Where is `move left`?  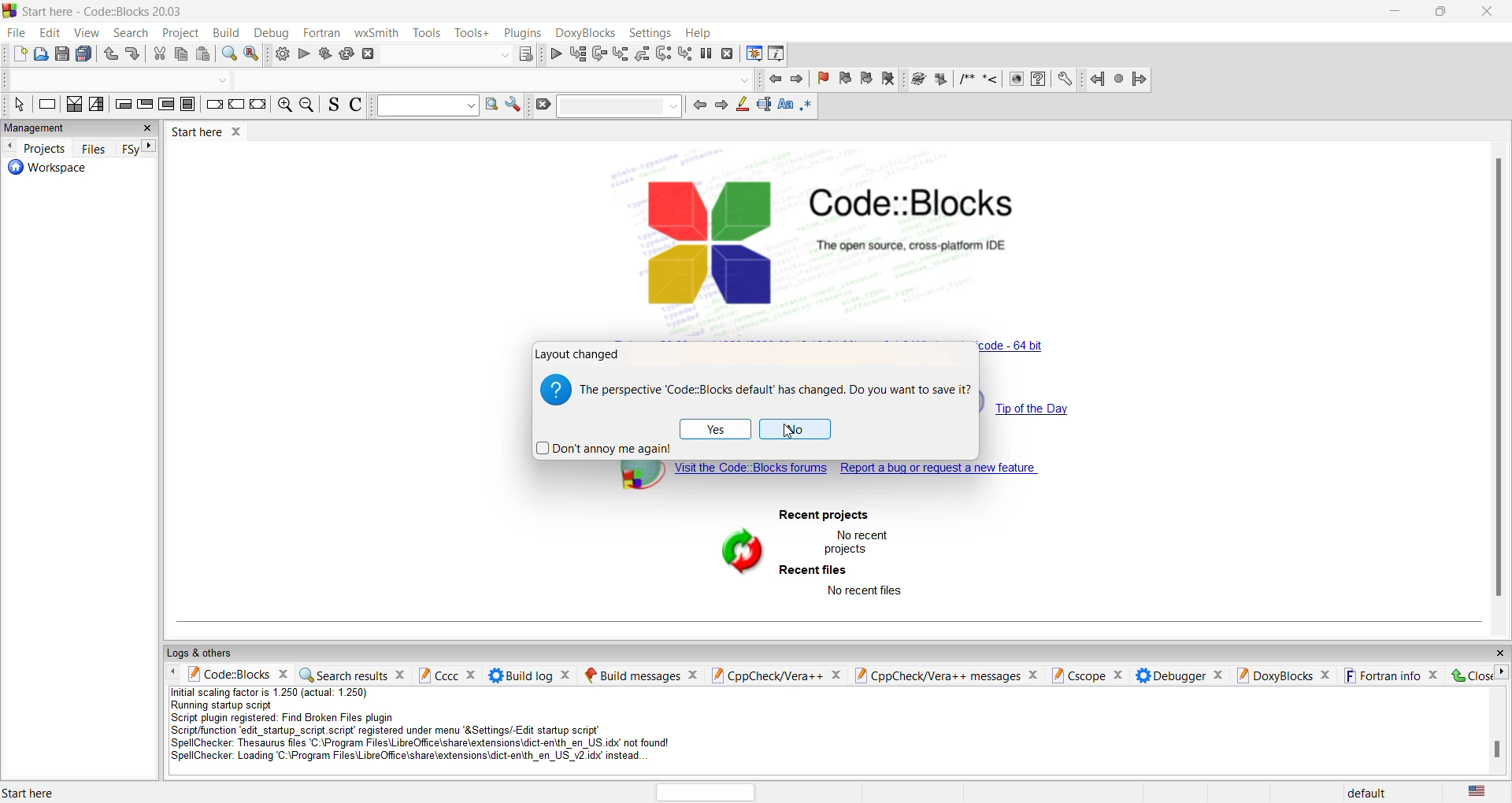 move left is located at coordinates (173, 672).